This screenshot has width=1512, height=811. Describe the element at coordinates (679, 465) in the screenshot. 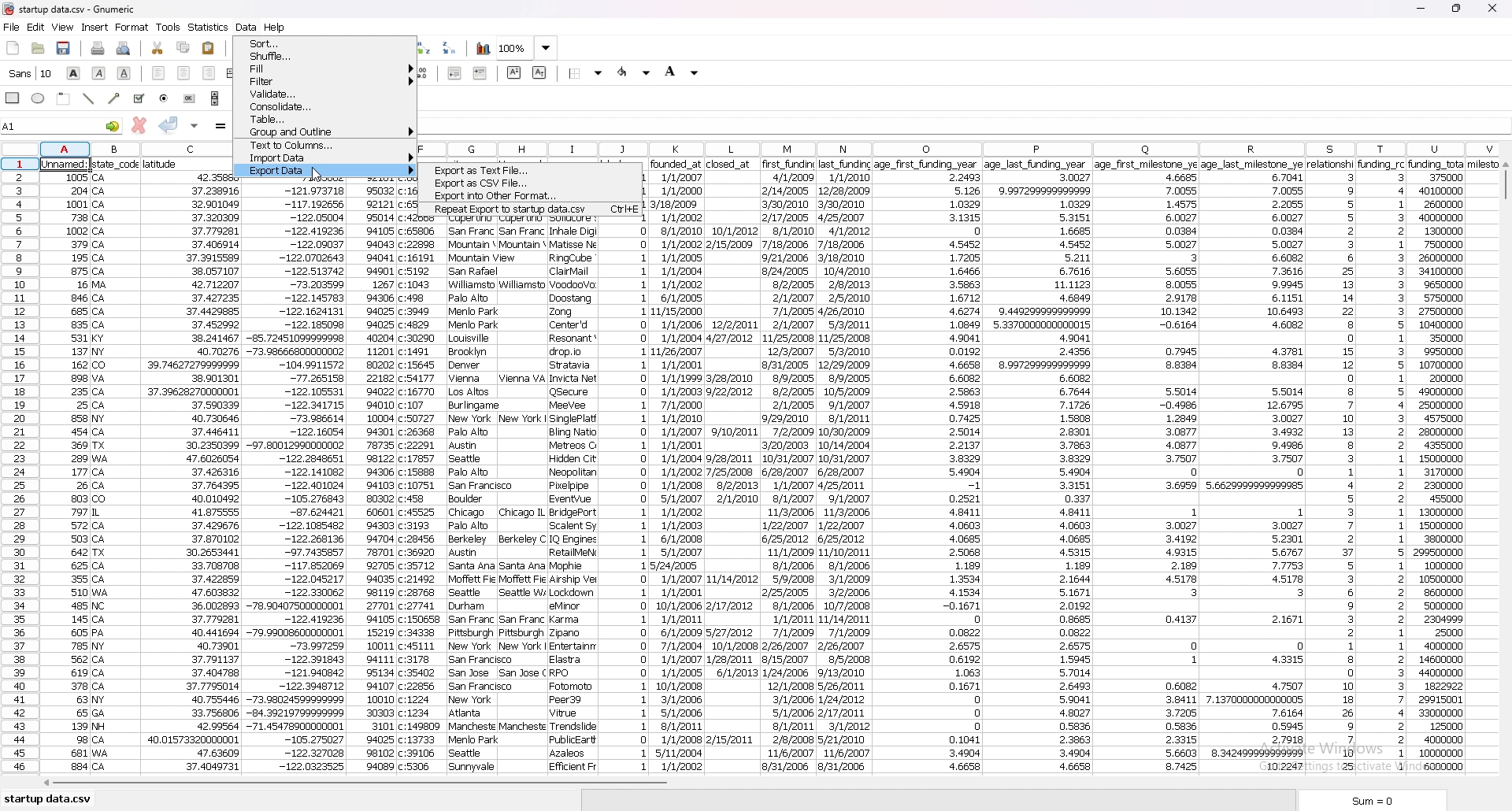

I see `data` at that location.